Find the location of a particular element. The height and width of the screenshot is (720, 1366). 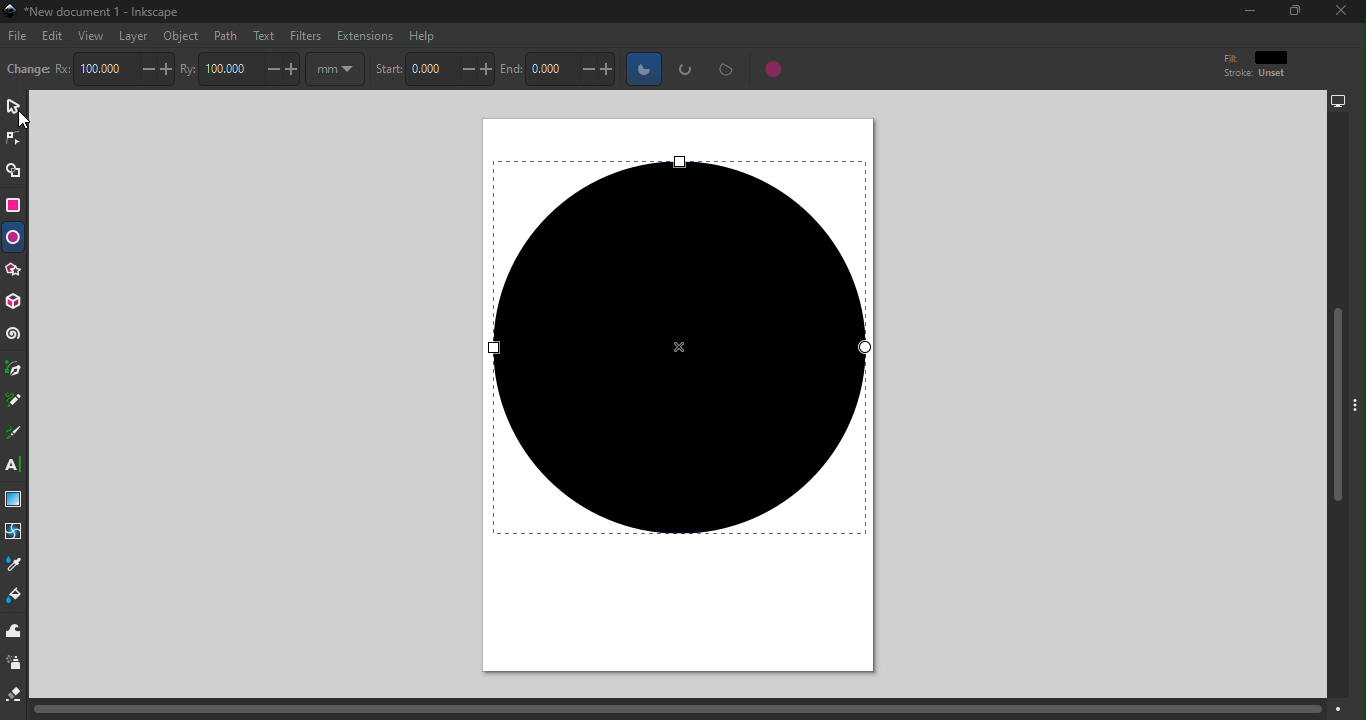

end is located at coordinates (509, 69).